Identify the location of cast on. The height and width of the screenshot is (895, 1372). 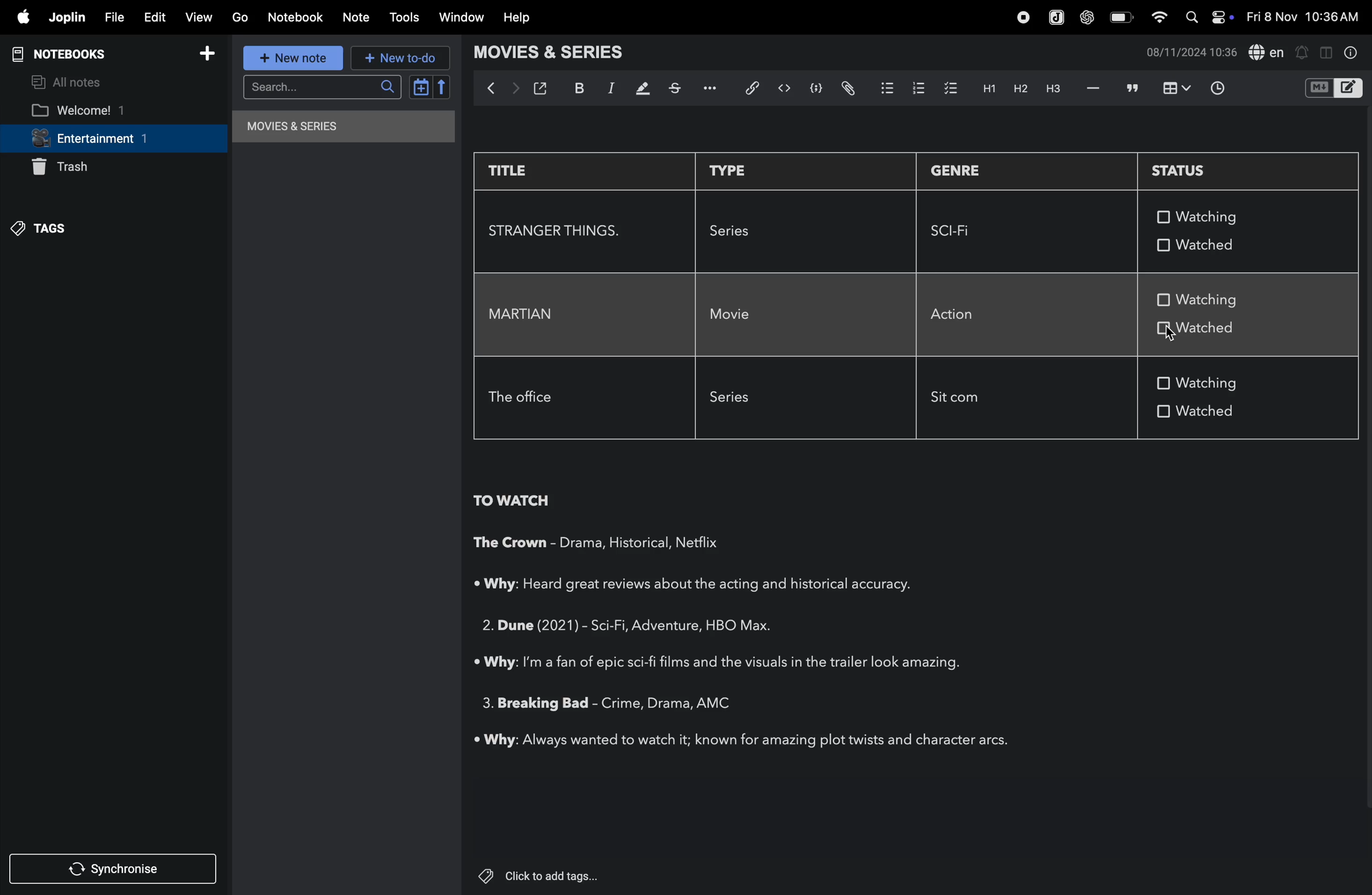
(702, 543).